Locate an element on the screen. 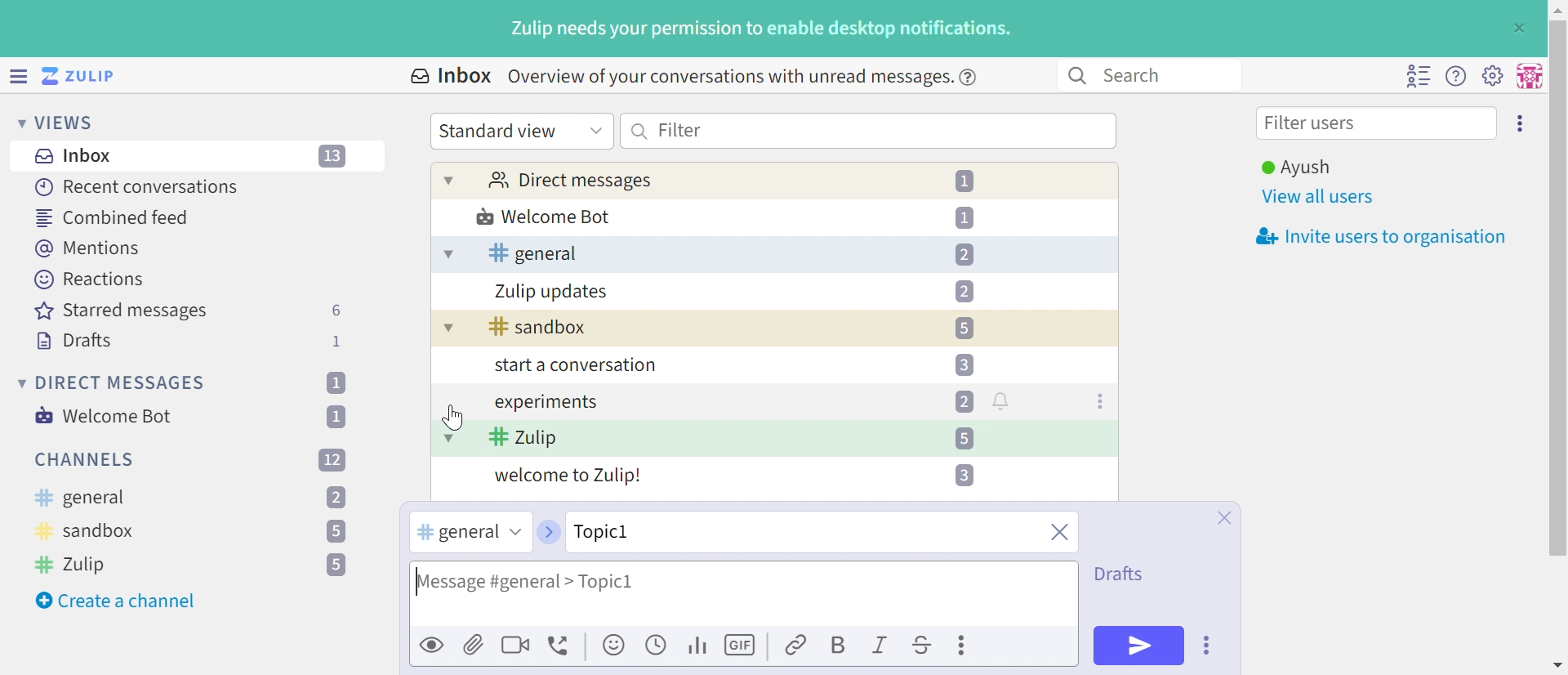  Italic is located at coordinates (881, 647).